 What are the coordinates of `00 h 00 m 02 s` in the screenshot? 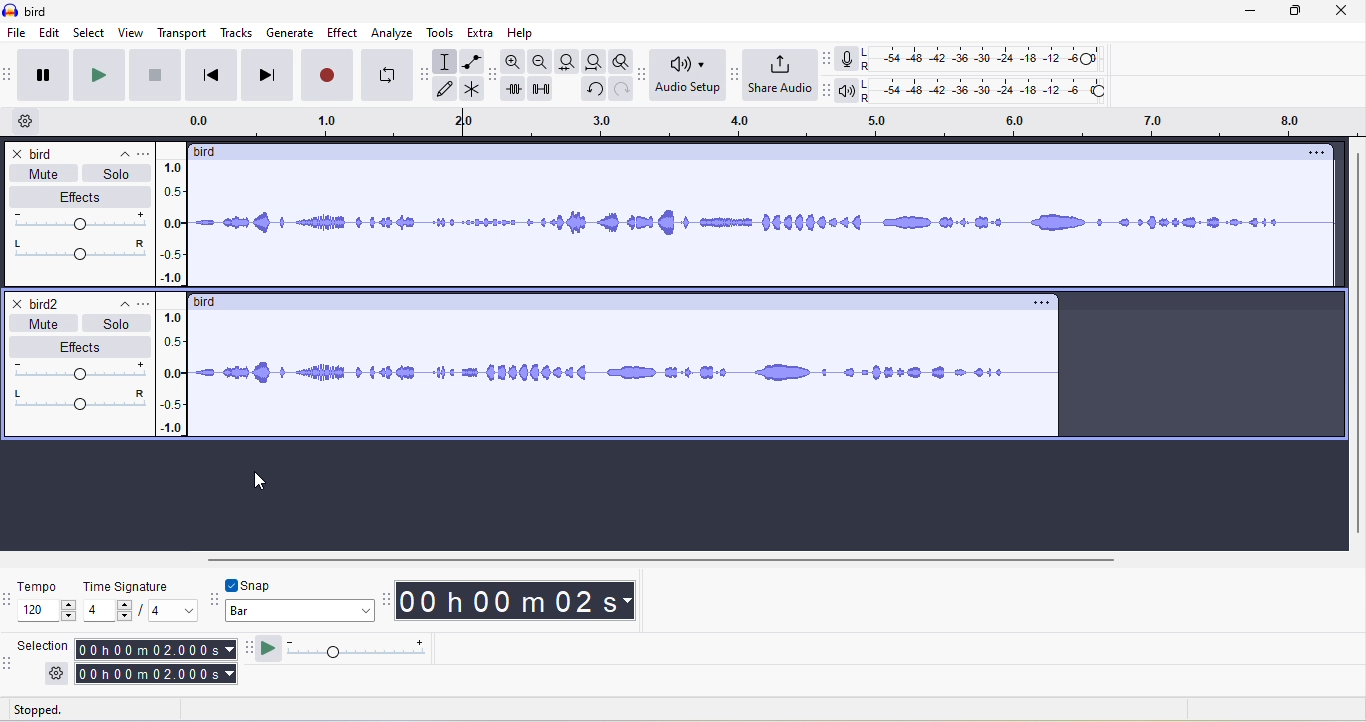 It's located at (520, 601).